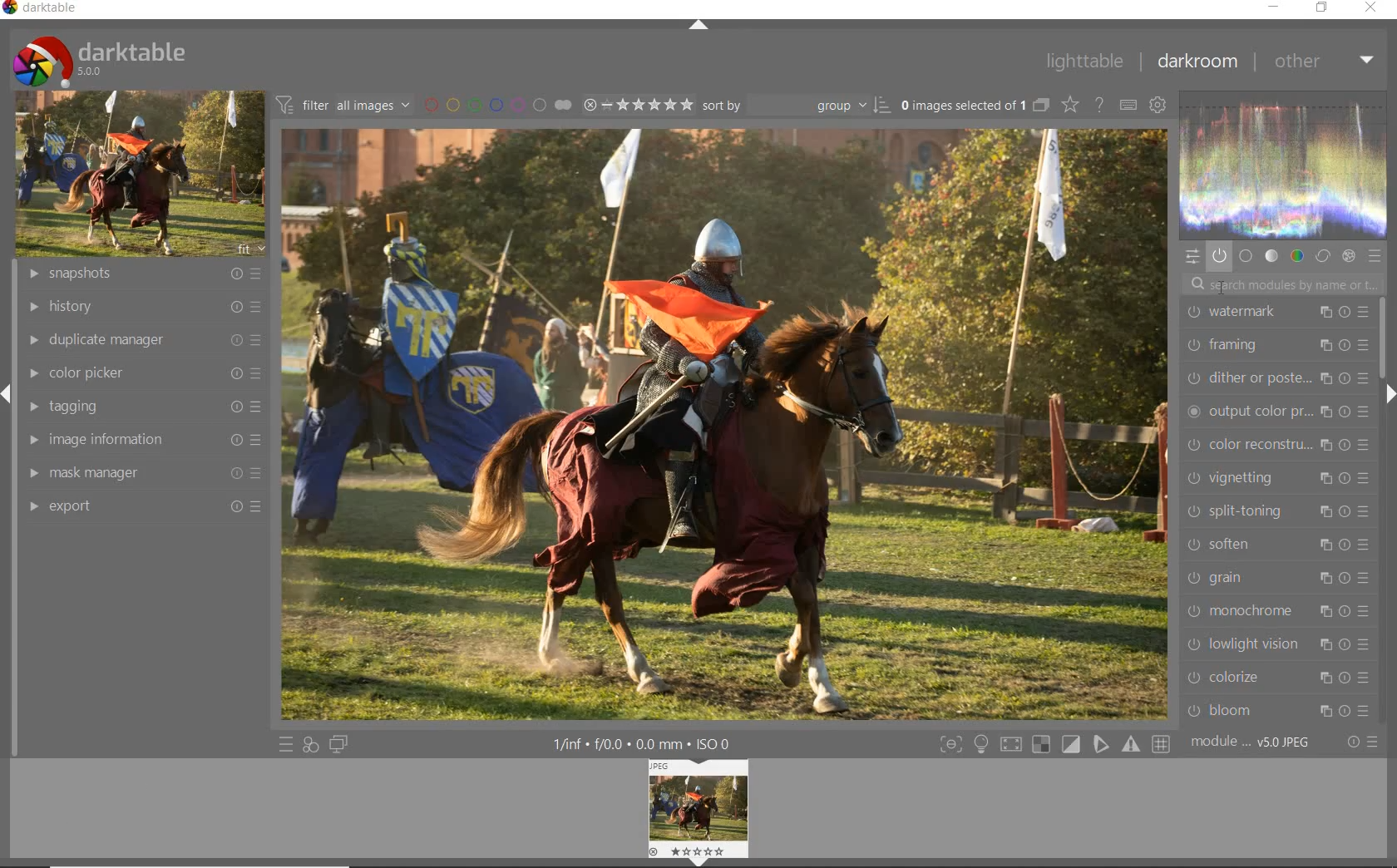  What do you see at coordinates (1375, 257) in the screenshot?
I see `presets` at bounding box center [1375, 257].